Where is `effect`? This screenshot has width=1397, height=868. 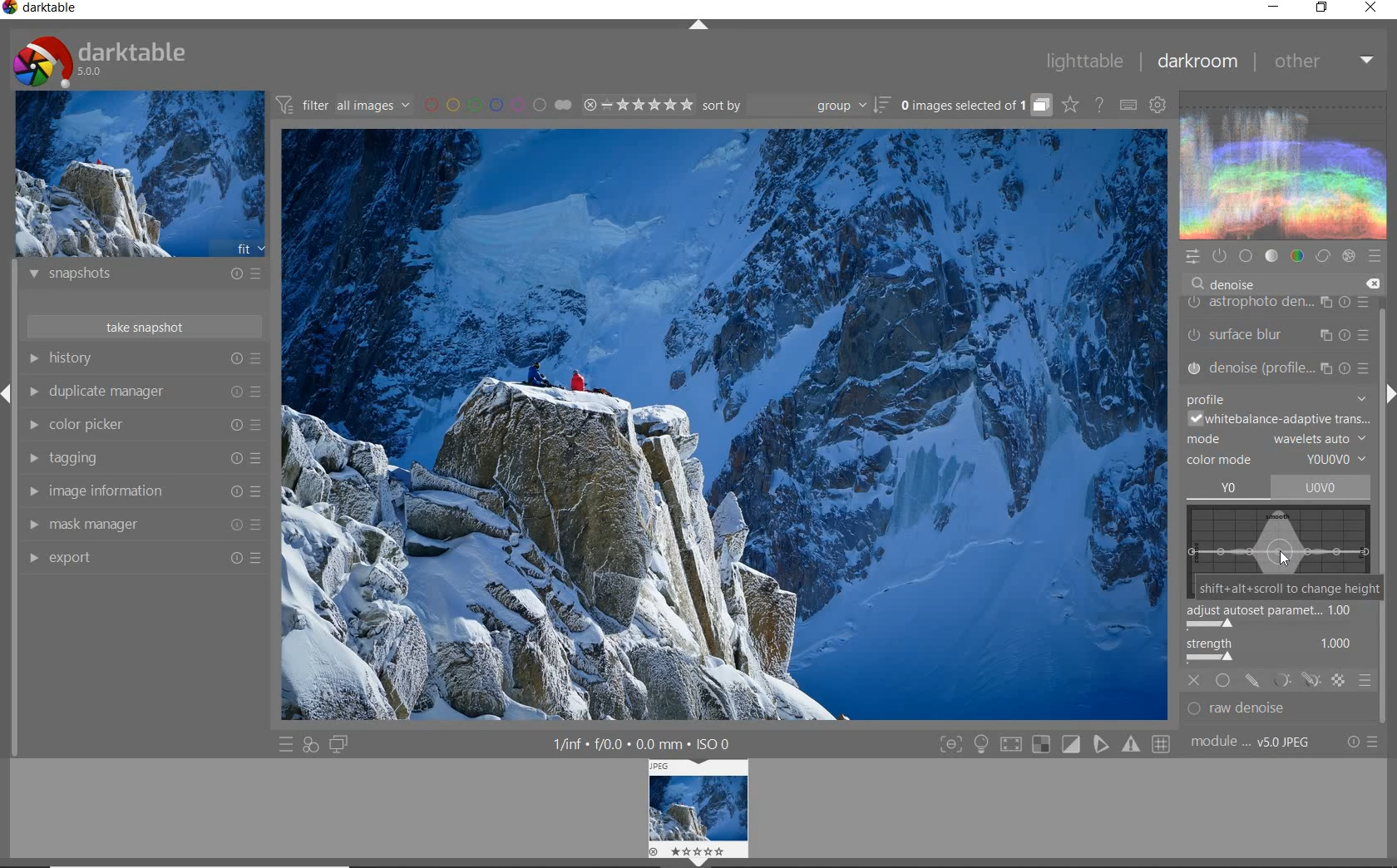 effect is located at coordinates (1348, 256).